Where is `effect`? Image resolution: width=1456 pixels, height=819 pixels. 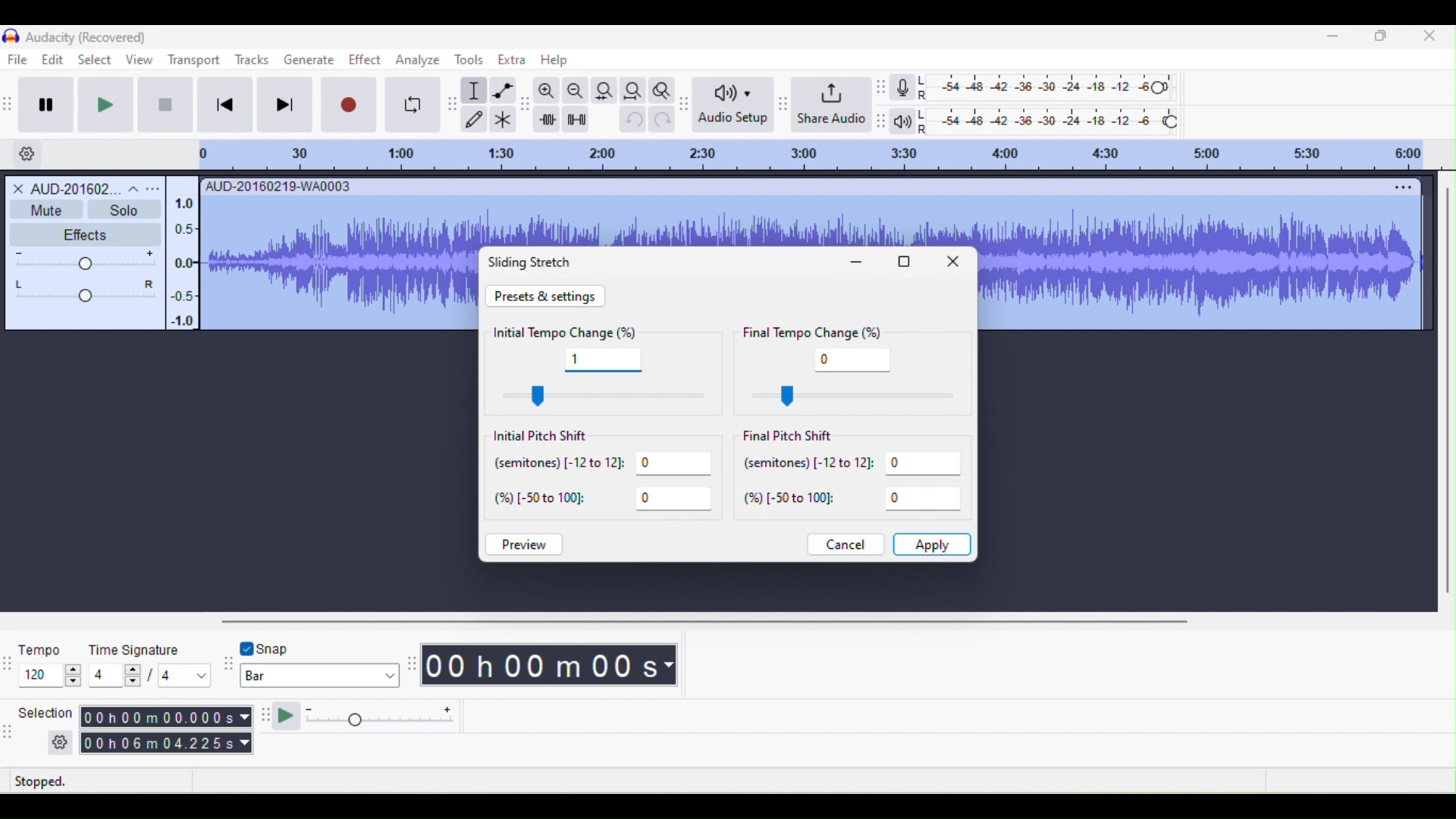 effect is located at coordinates (363, 63).